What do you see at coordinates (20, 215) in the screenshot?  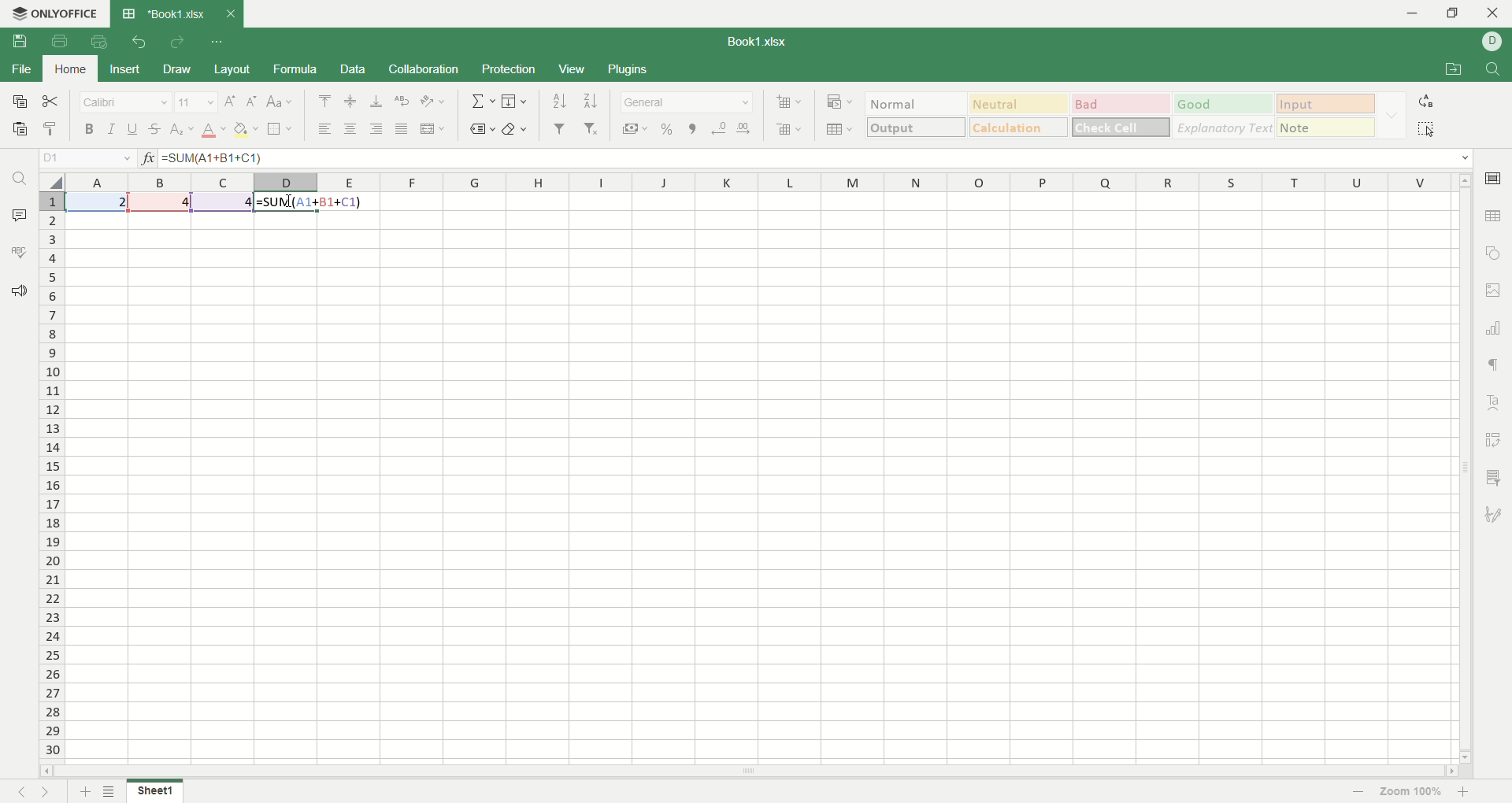 I see `comment` at bounding box center [20, 215].